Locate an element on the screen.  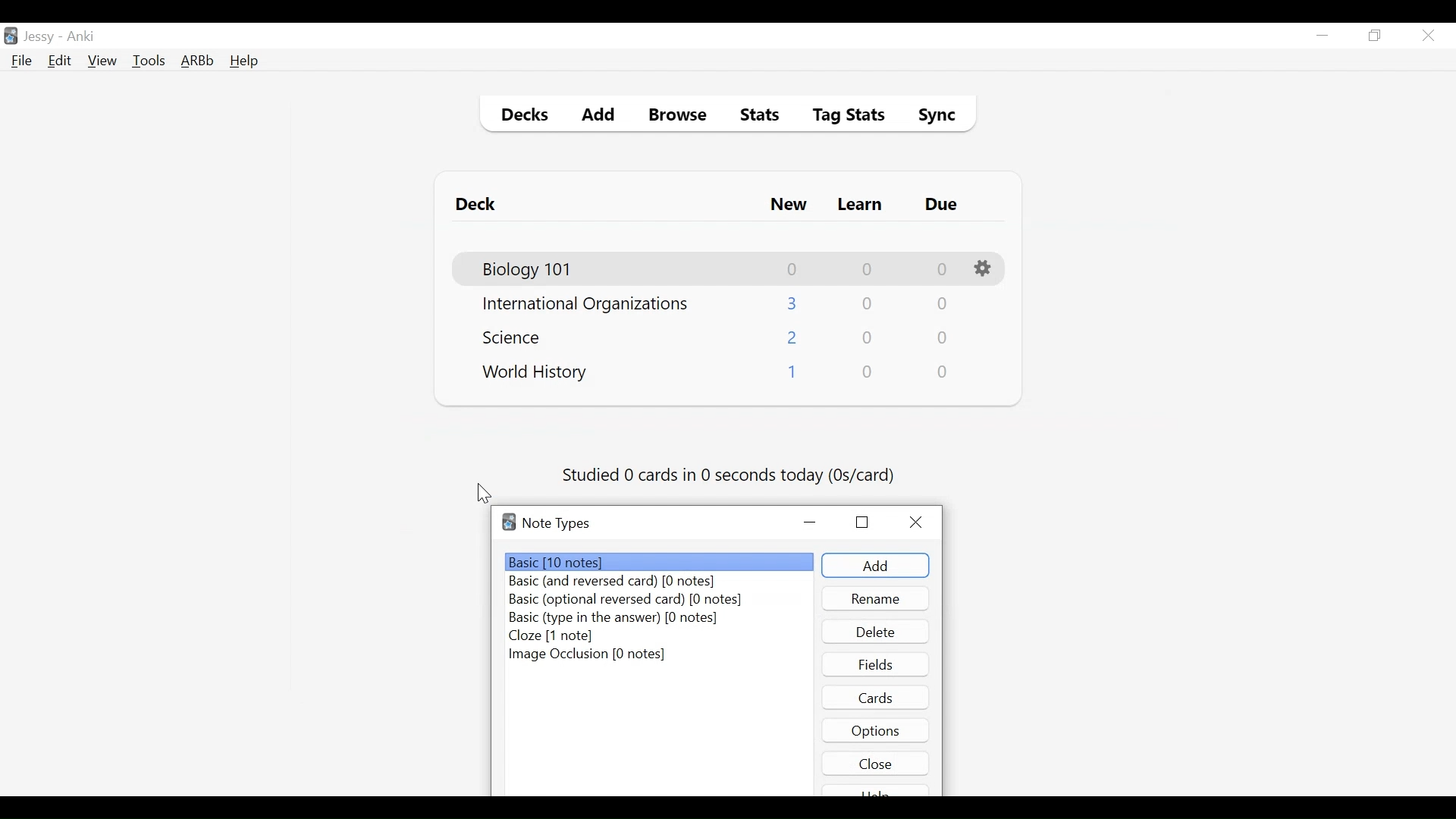
Restore is located at coordinates (862, 521).